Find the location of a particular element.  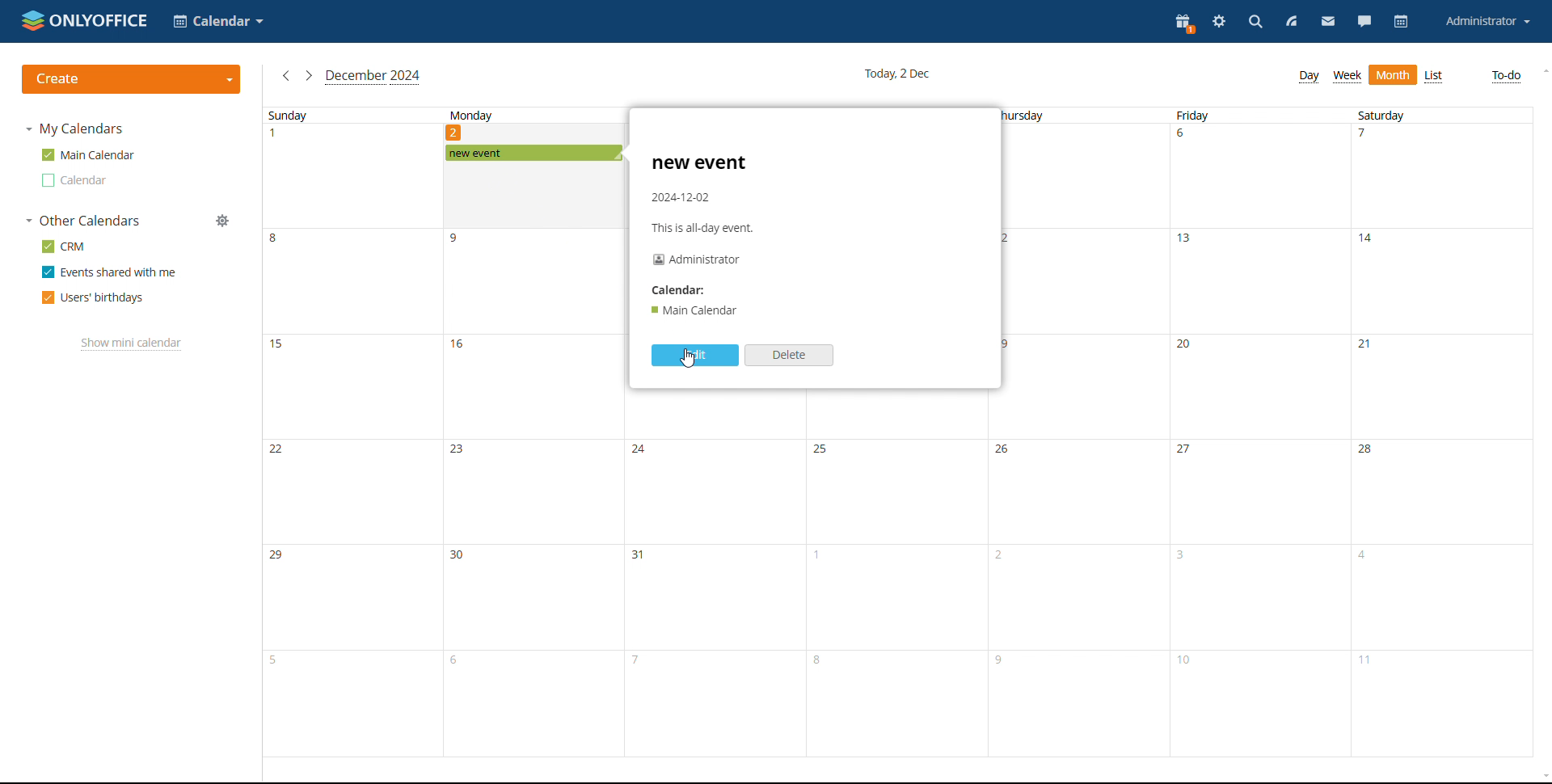

event descriiption is located at coordinates (706, 234).